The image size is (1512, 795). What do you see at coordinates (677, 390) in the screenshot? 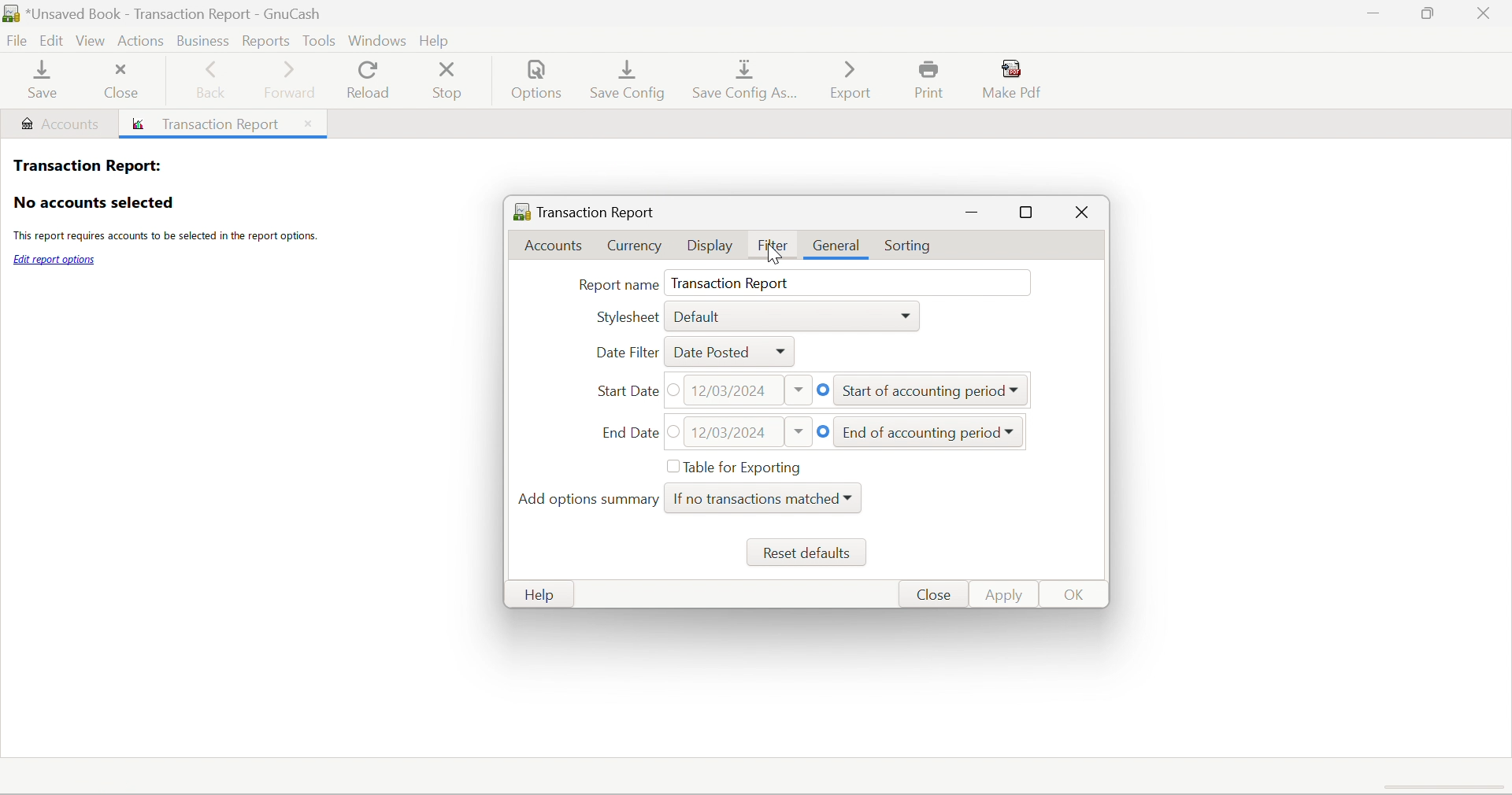
I see `Checkbox` at bounding box center [677, 390].